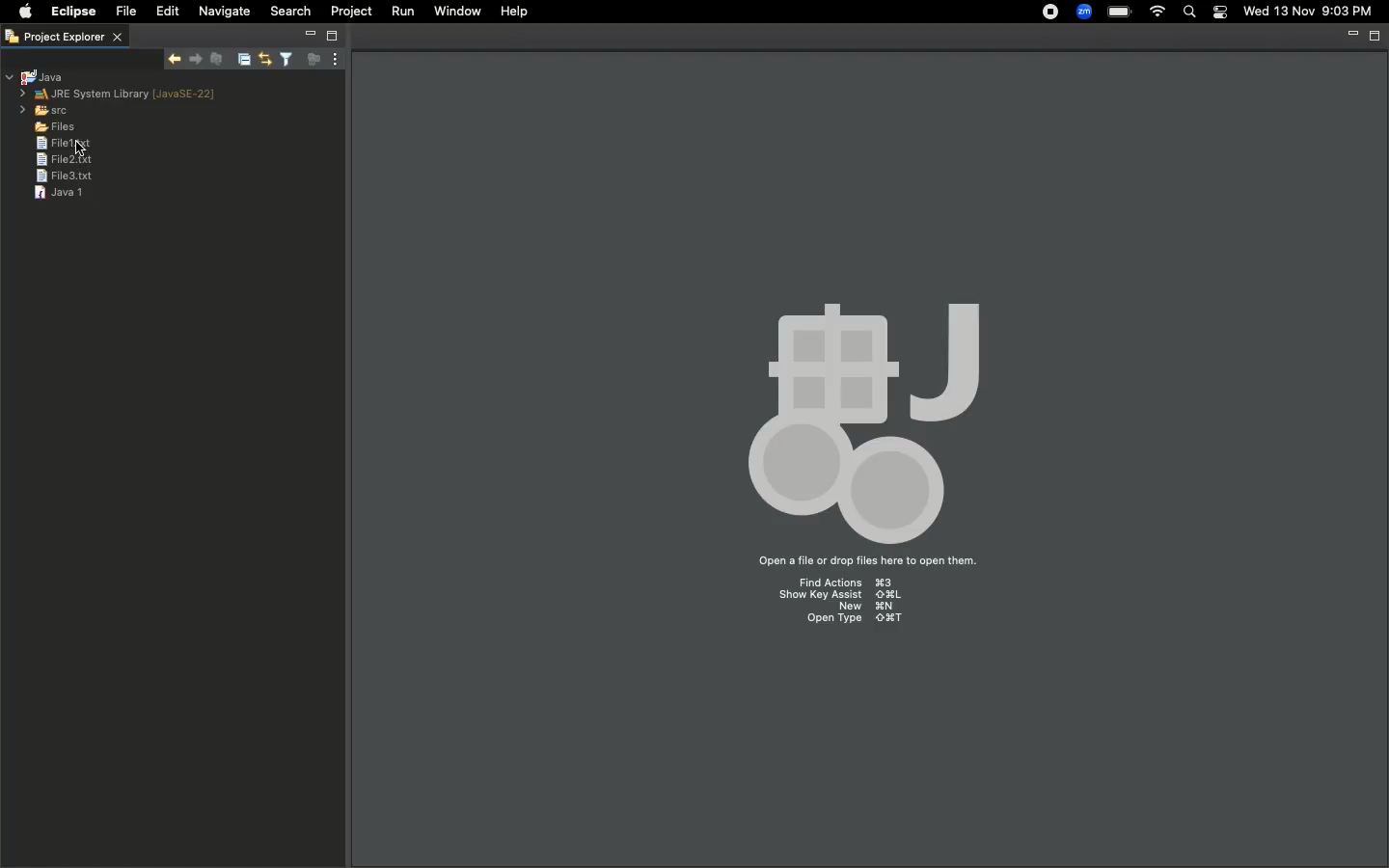 Image resolution: width=1389 pixels, height=868 pixels. Describe the element at coordinates (1222, 12) in the screenshot. I see `Notification` at that location.